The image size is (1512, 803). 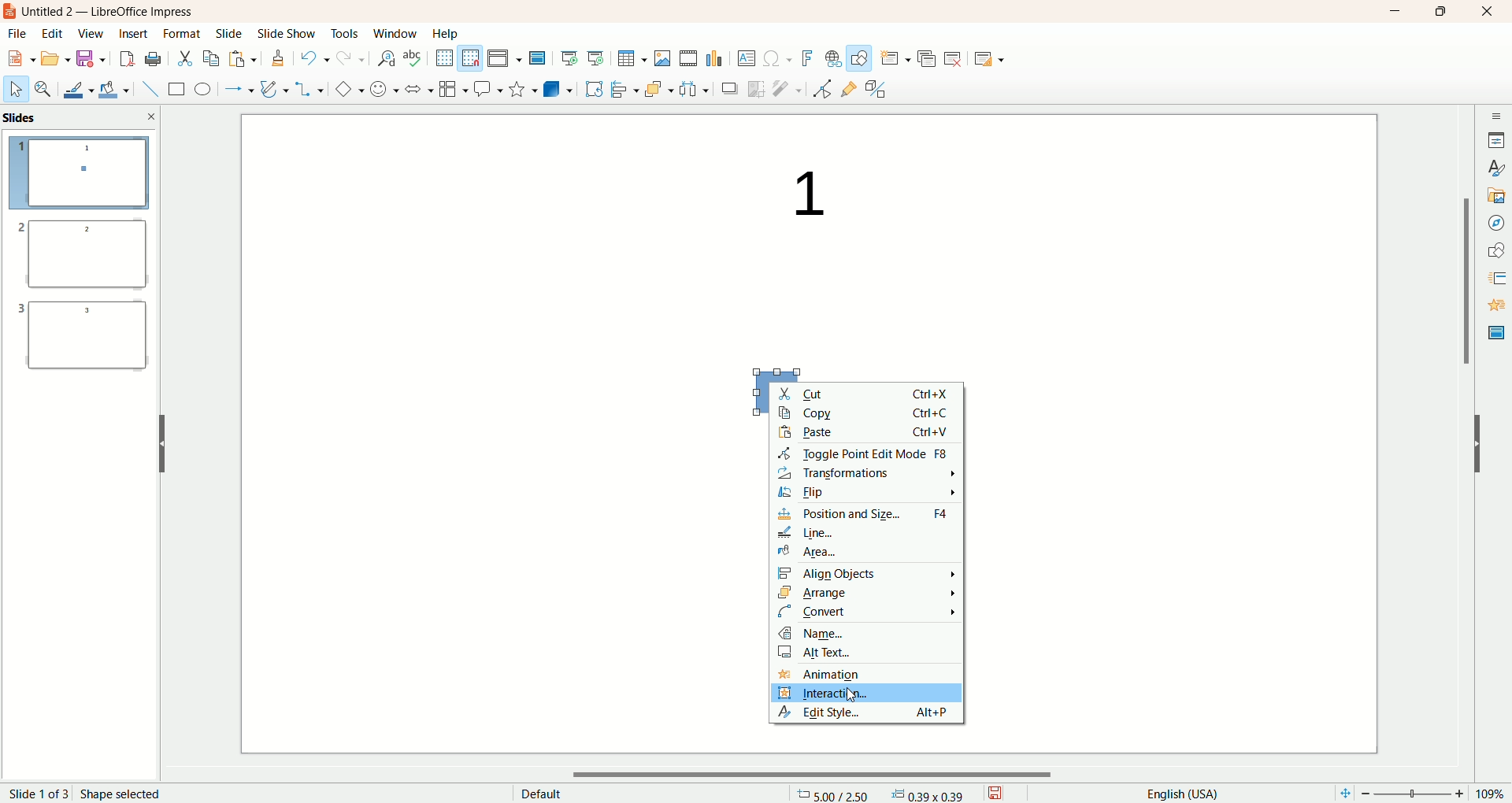 I want to click on open, so click(x=57, y=60).